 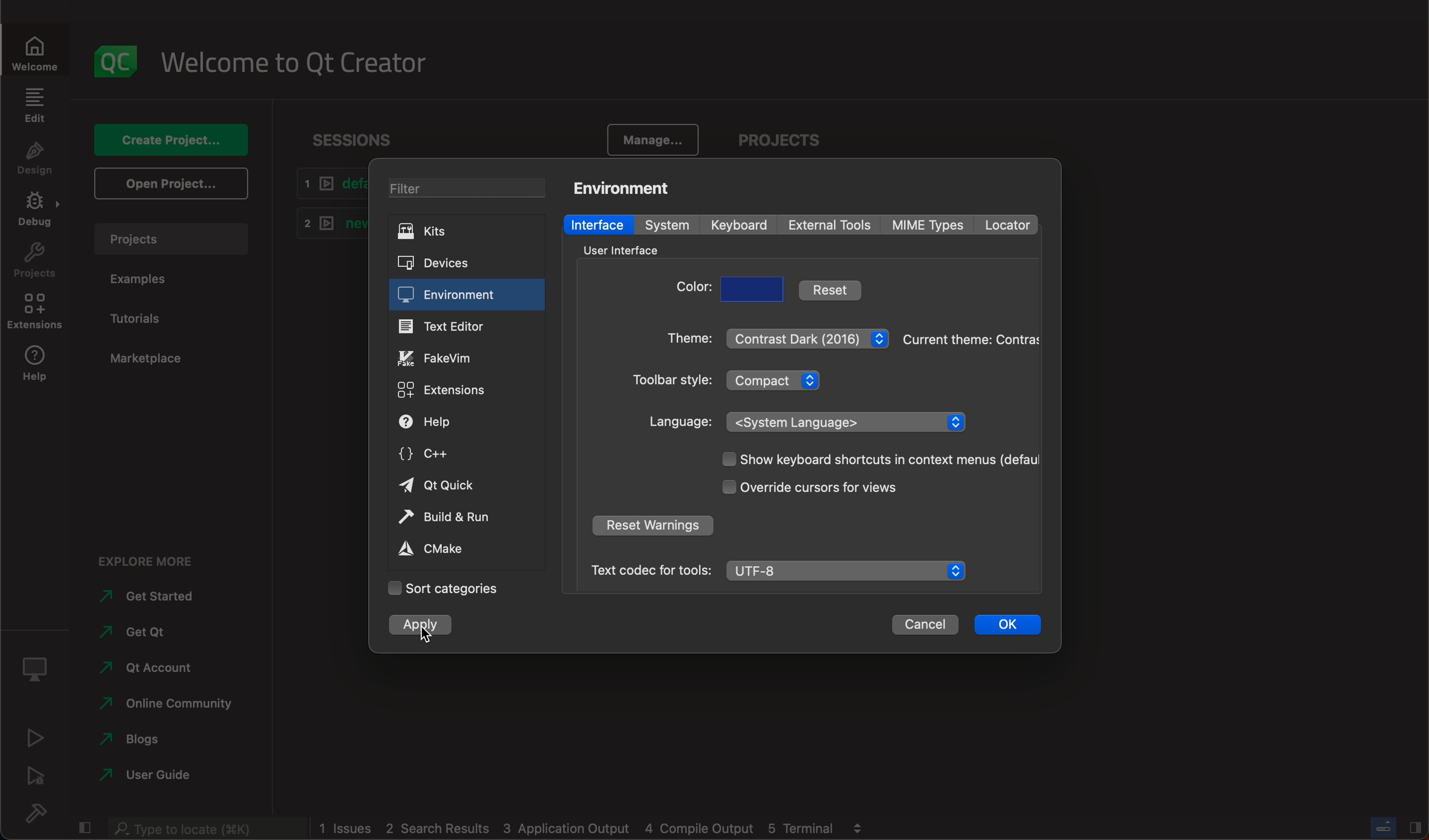 What do you see at coordinates (925, 625) in the screenshot?
I see `cancel` at bounding box center [925, 625].